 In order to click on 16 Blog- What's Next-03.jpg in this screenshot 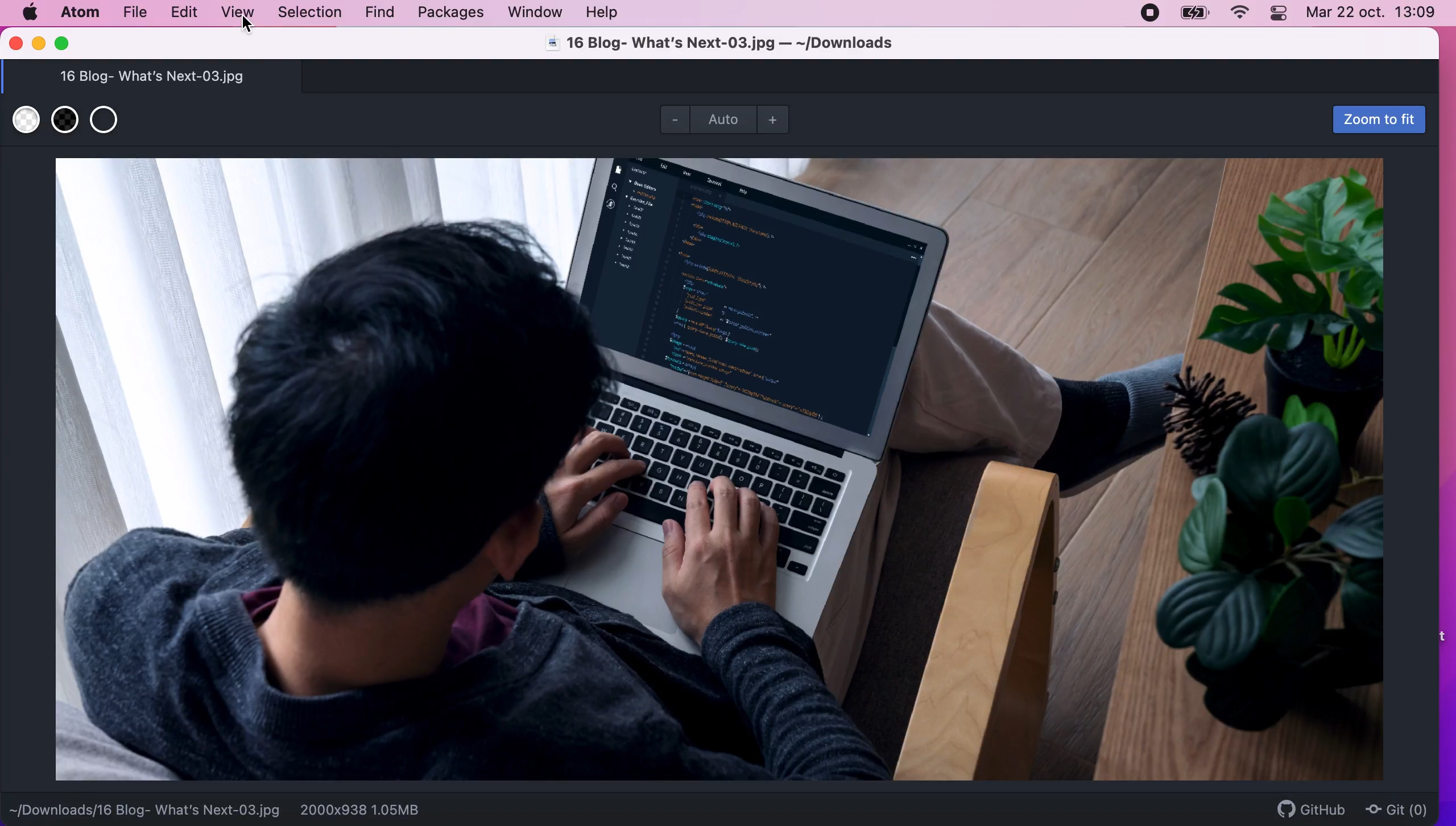, I will do `click(152, 75)`.